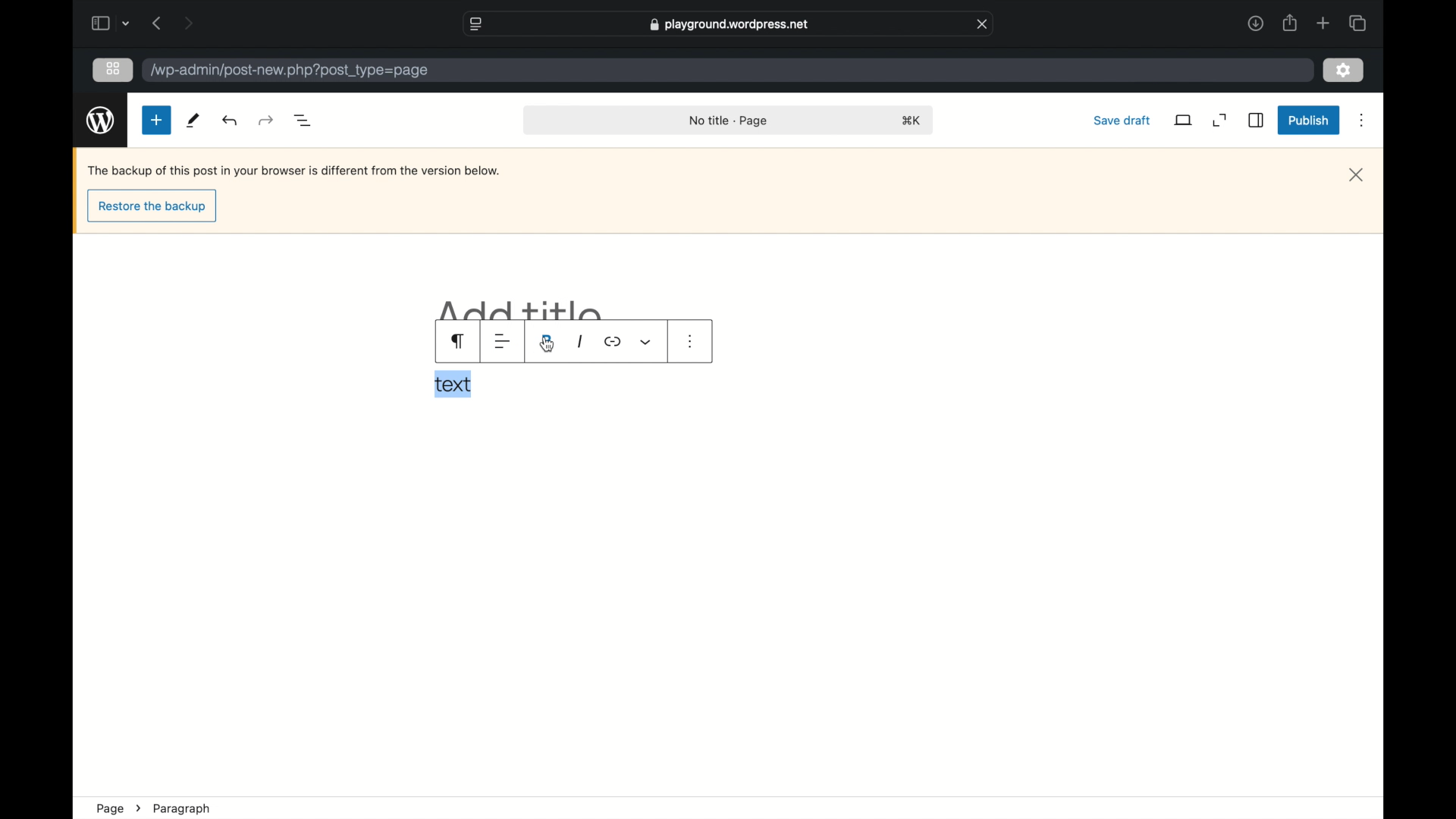 The height and width of the screenshot is (819, 1456). I want to click on dropdown, so click(127, 24).